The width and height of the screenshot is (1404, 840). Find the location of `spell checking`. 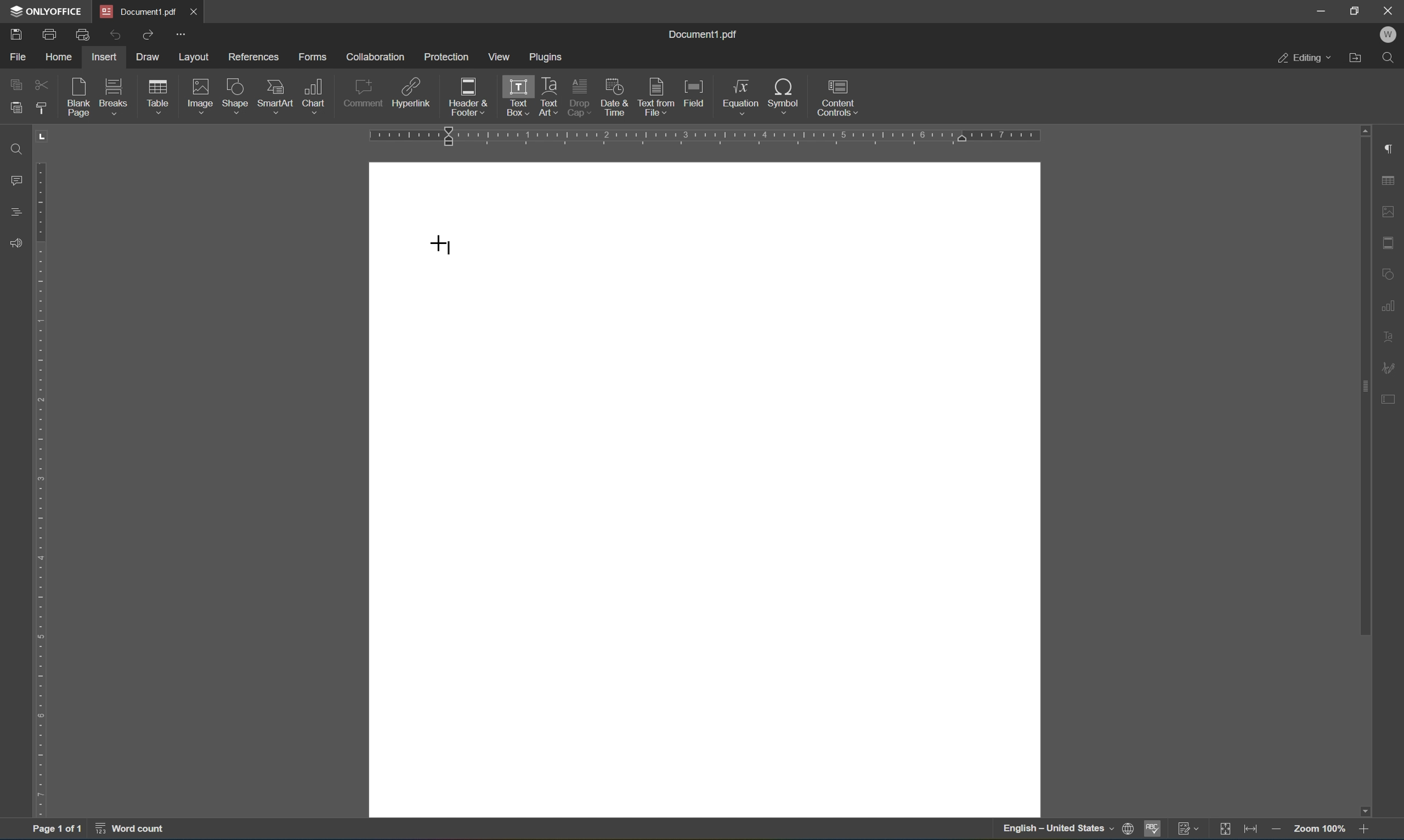

spell checking is located at coordinates (1155, 828).